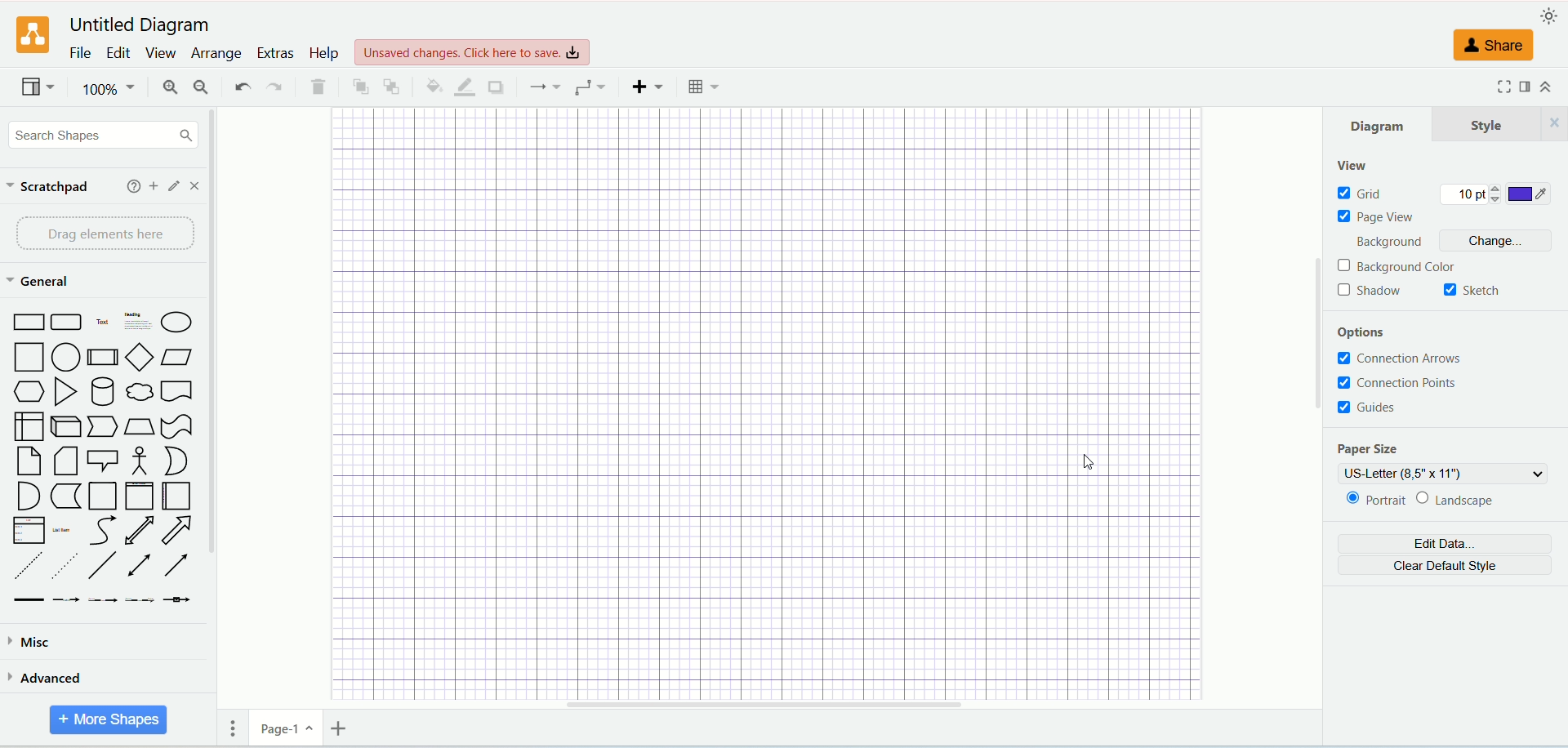  I want to click on Dotted Line, so click(67, 568).